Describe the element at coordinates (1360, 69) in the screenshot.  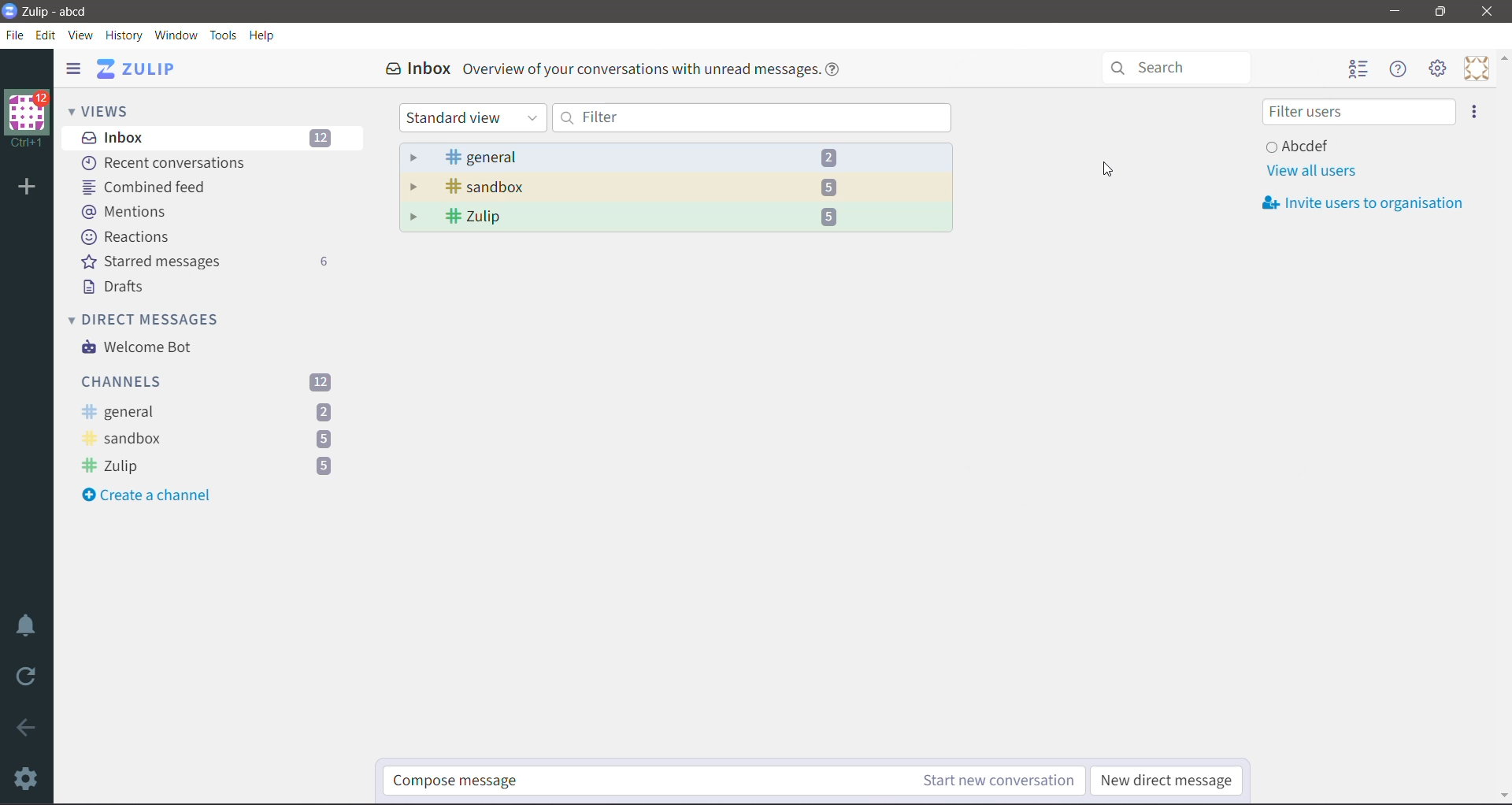
I see `Hide user list` at that location.